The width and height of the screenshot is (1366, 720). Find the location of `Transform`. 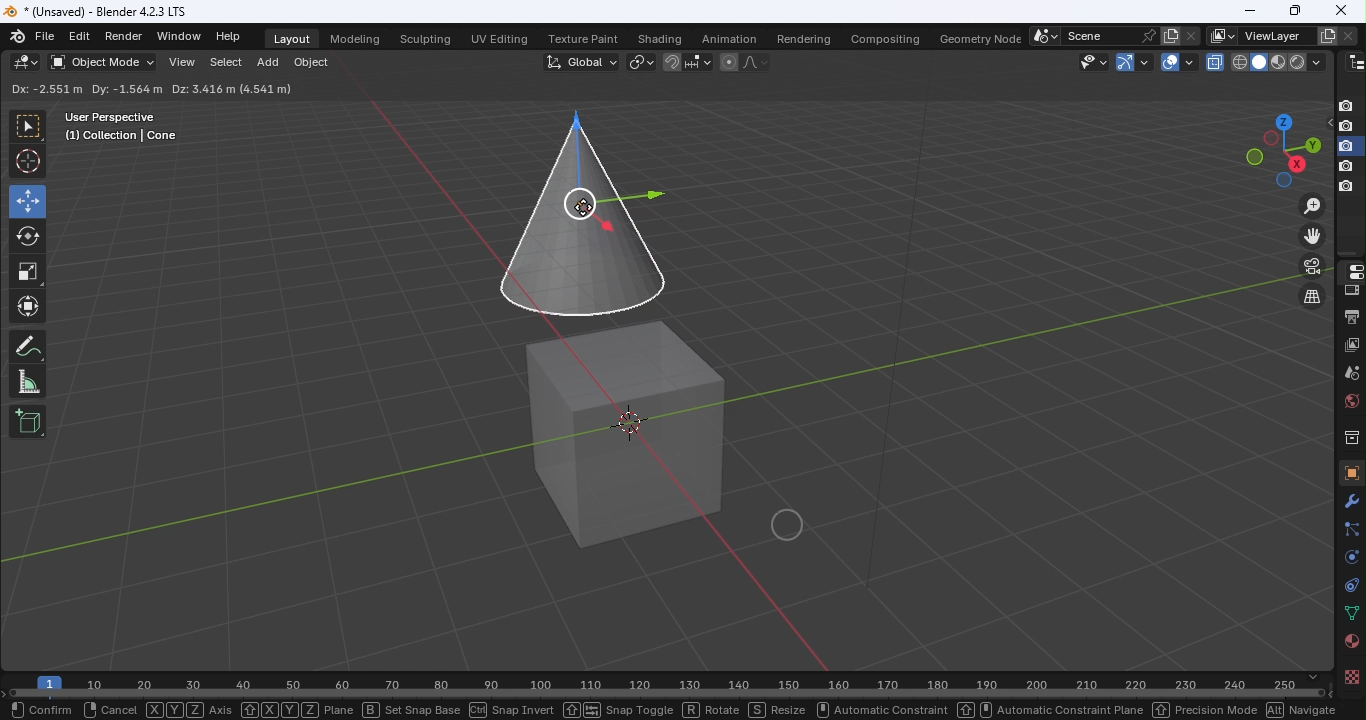

Transform is located at coordinates (28, 309).